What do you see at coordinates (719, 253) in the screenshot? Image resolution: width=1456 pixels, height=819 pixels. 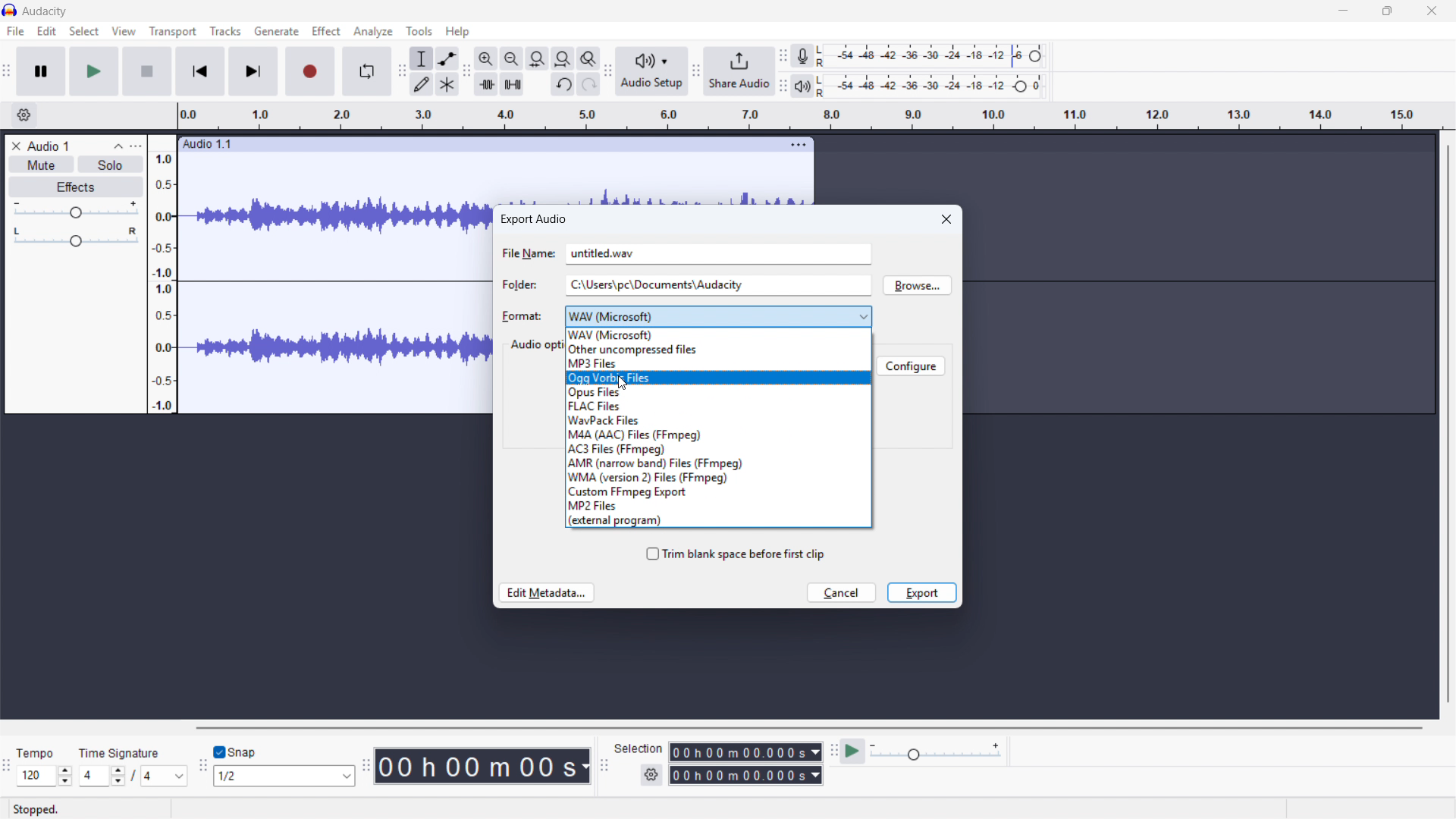 I see `File name ` at bounding box center [719, 253].